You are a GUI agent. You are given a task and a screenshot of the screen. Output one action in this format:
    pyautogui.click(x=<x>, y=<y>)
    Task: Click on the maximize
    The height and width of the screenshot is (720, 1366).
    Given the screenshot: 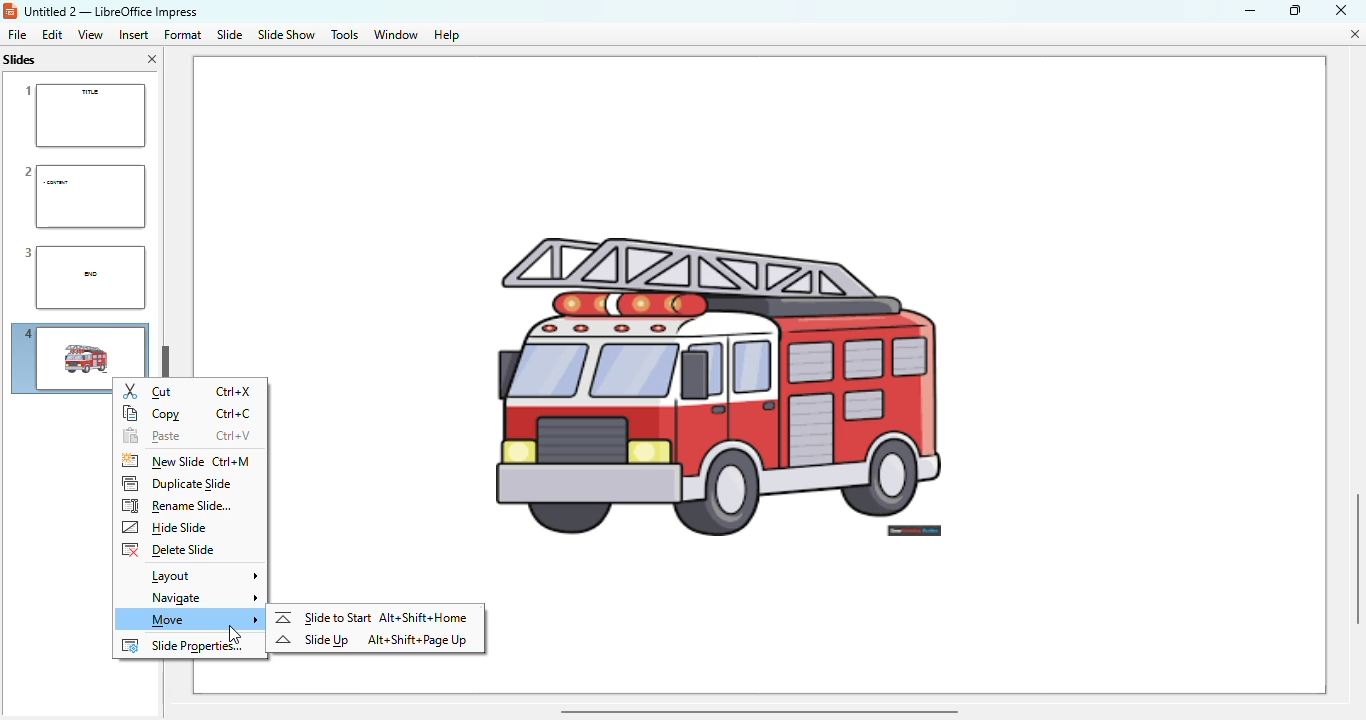 What is the action you would take?
    pyautogui.click(x=1295, y=9)
    